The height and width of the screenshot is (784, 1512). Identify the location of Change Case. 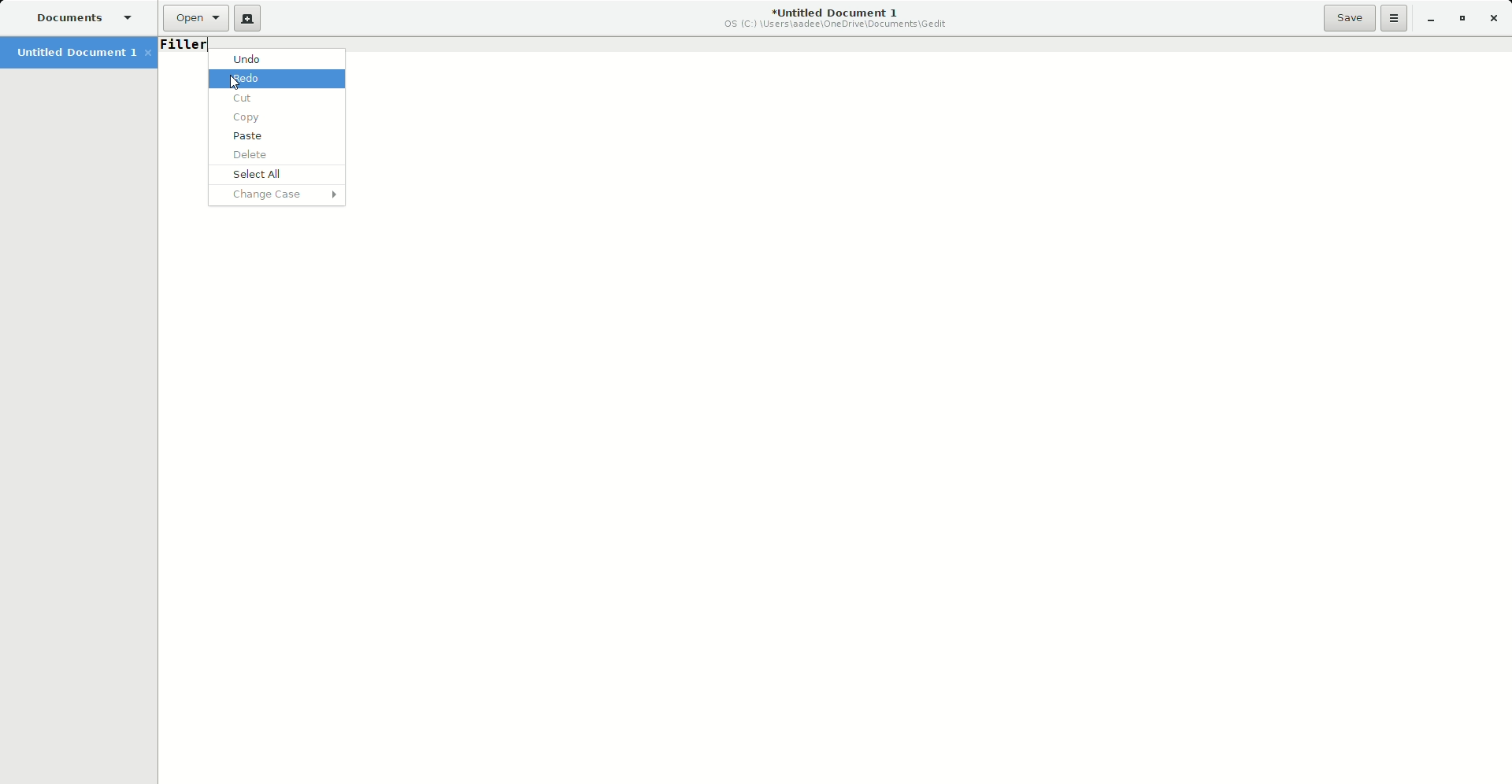
(276, 194).